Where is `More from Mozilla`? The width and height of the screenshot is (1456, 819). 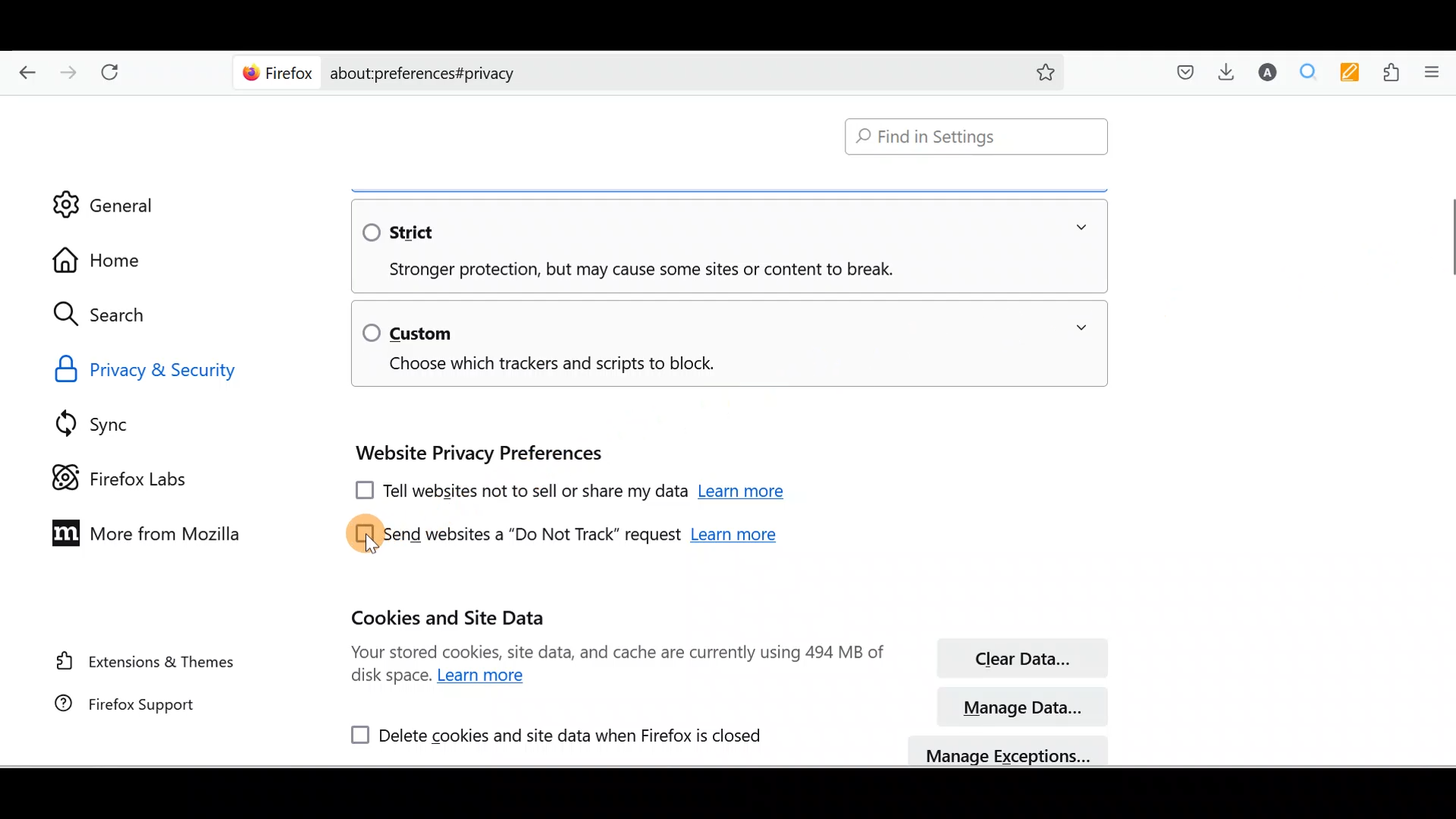
More from Mozilla is located at coordinates (151, 539).